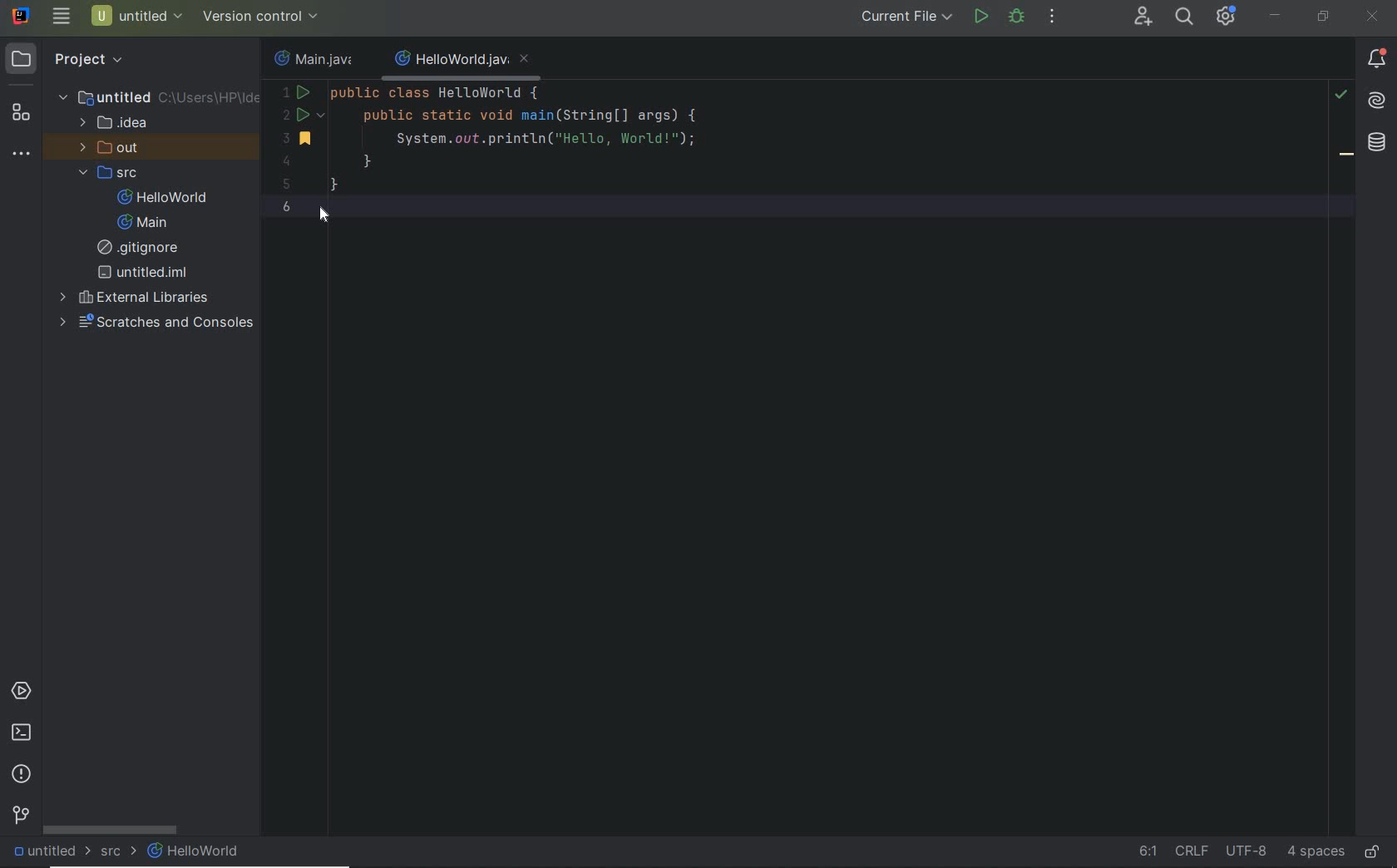 The width and height of the screenshot is (1397, 868). Describe the element at coordinates (144, 248) in the screenshot. I see `gitignore` at that location.